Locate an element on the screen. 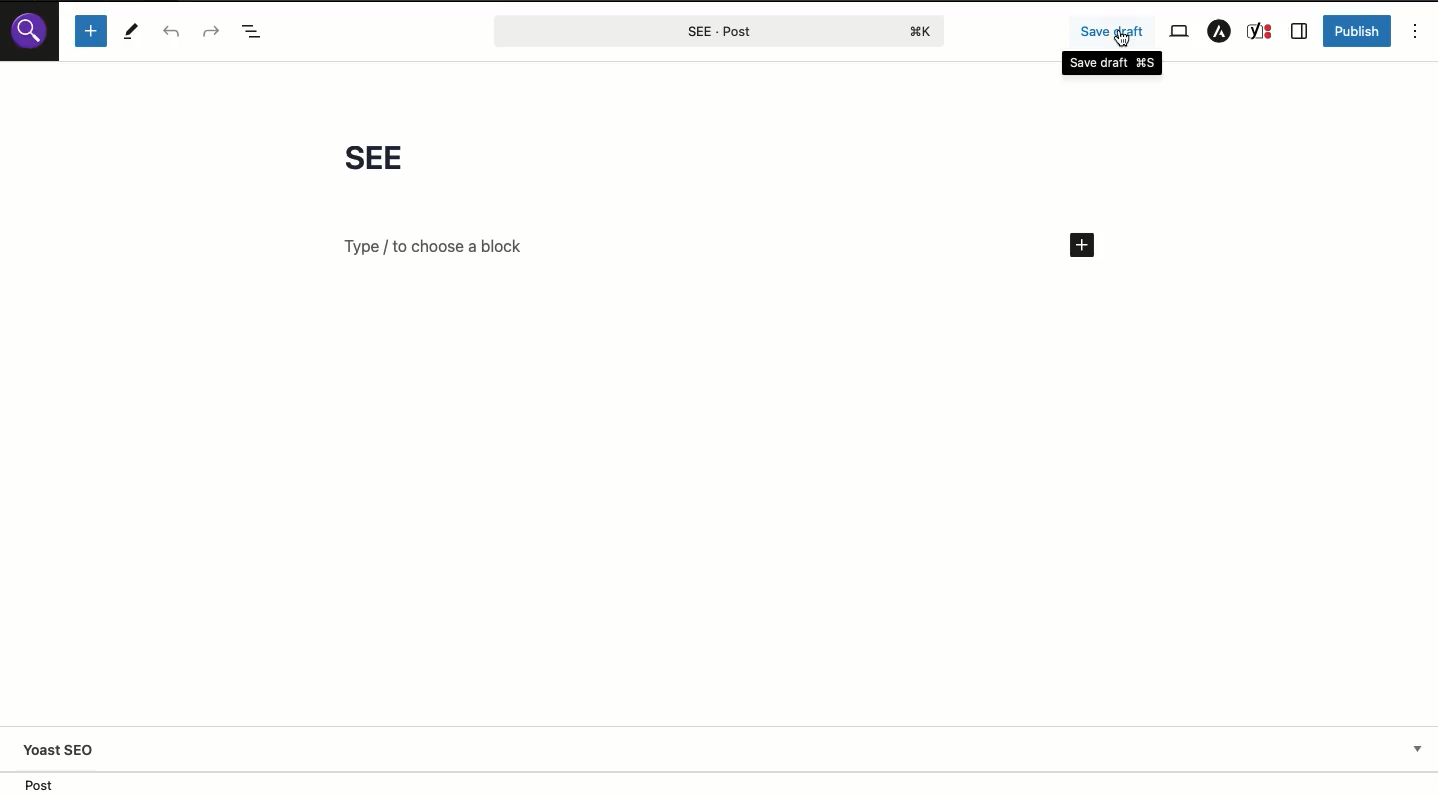  Save draft is located at coordinates (1117, 63).